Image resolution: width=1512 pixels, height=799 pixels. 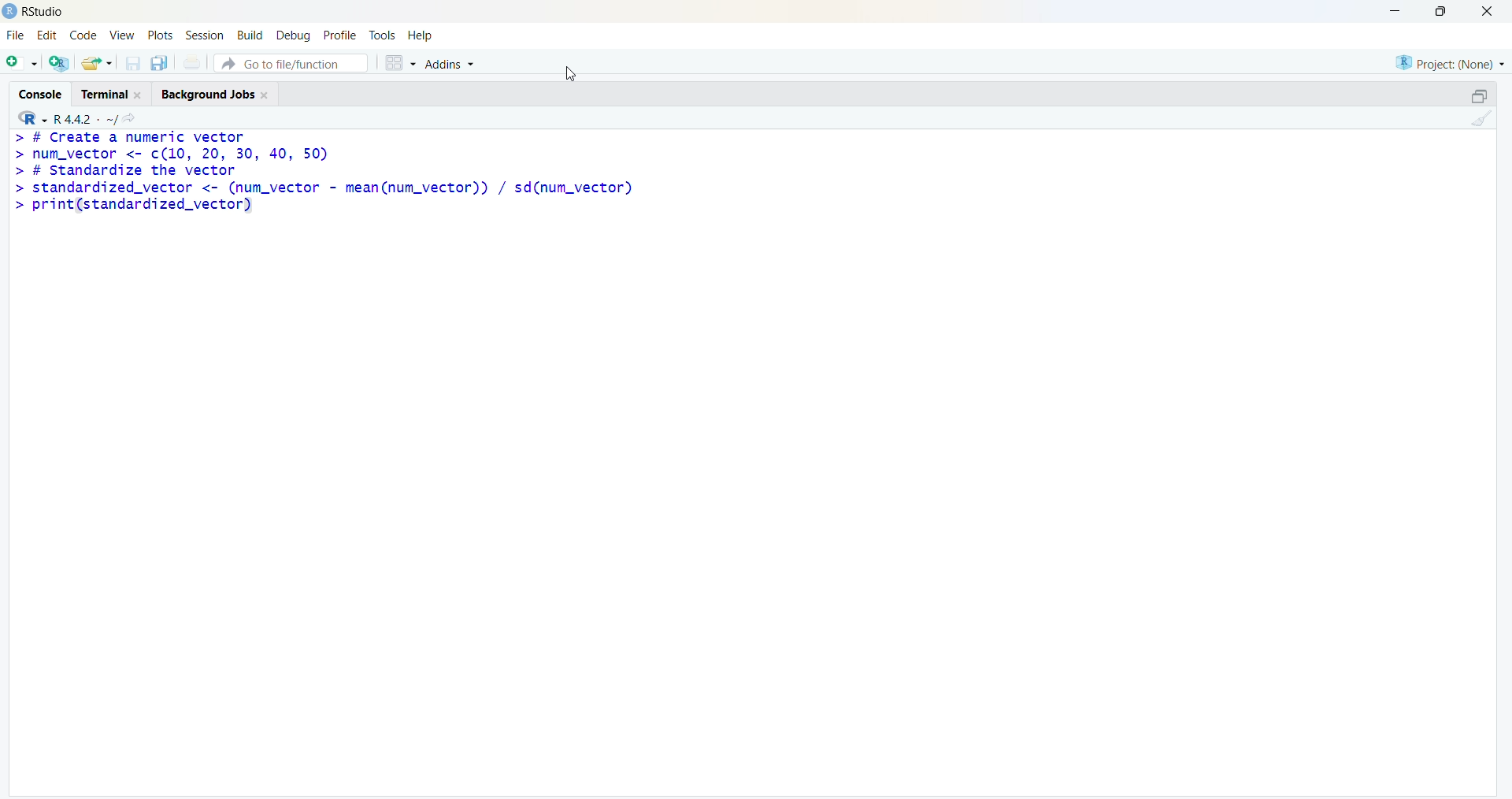 What do you see at coordinates (98, 63) in the screenshot?
I see `share folder as` at bounding box center [98, 63].